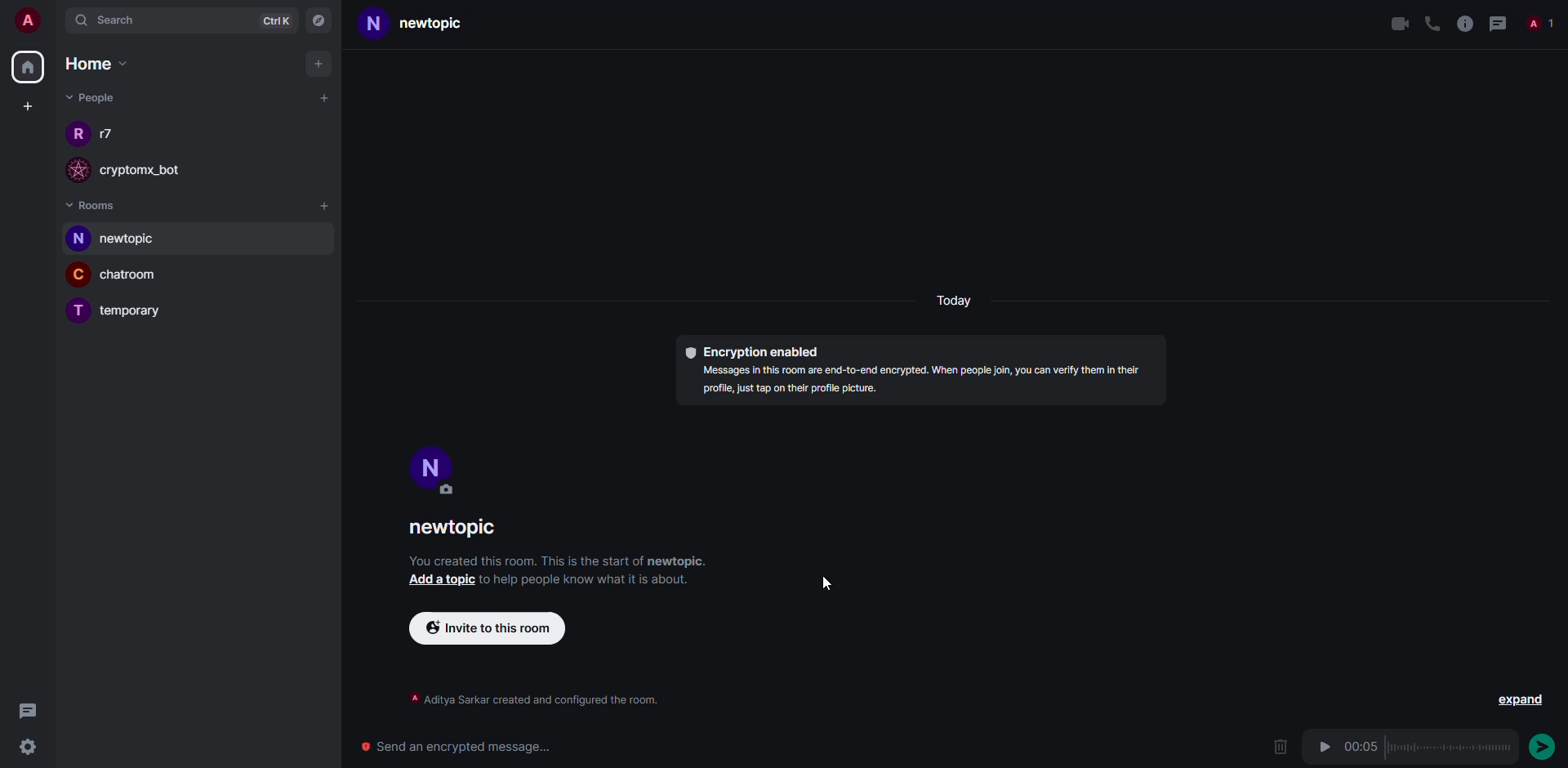 The width and height of the screenshot is (1568, 768). What do you see at coordinates (1277, 748) in the screenshot?
I see `delete` at bounding box center [1277, 748].